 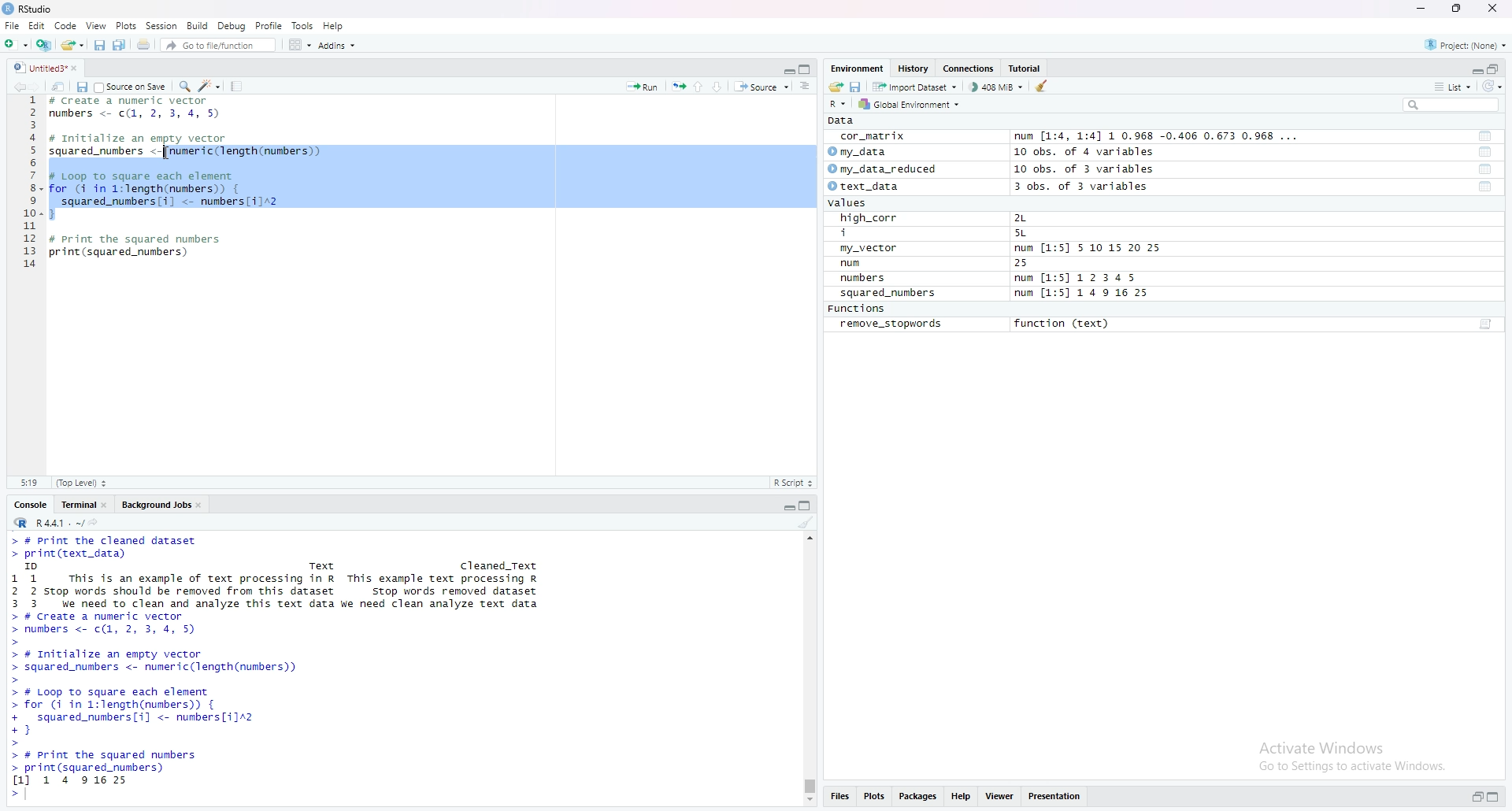 I want to click on R Script, so click(x=793, y=482).